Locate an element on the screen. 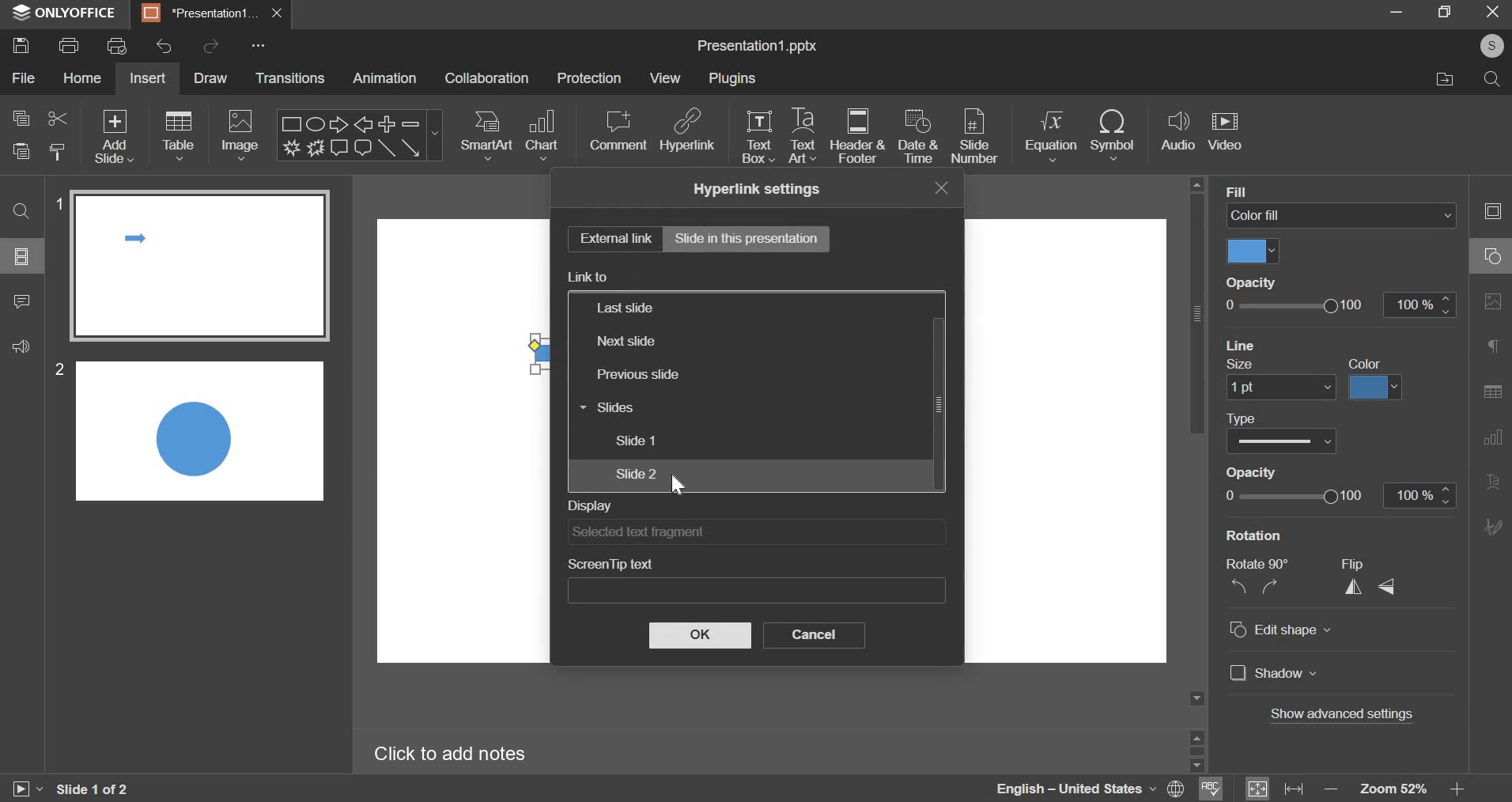  increase/decrease is located at coordinates (1419, 496).